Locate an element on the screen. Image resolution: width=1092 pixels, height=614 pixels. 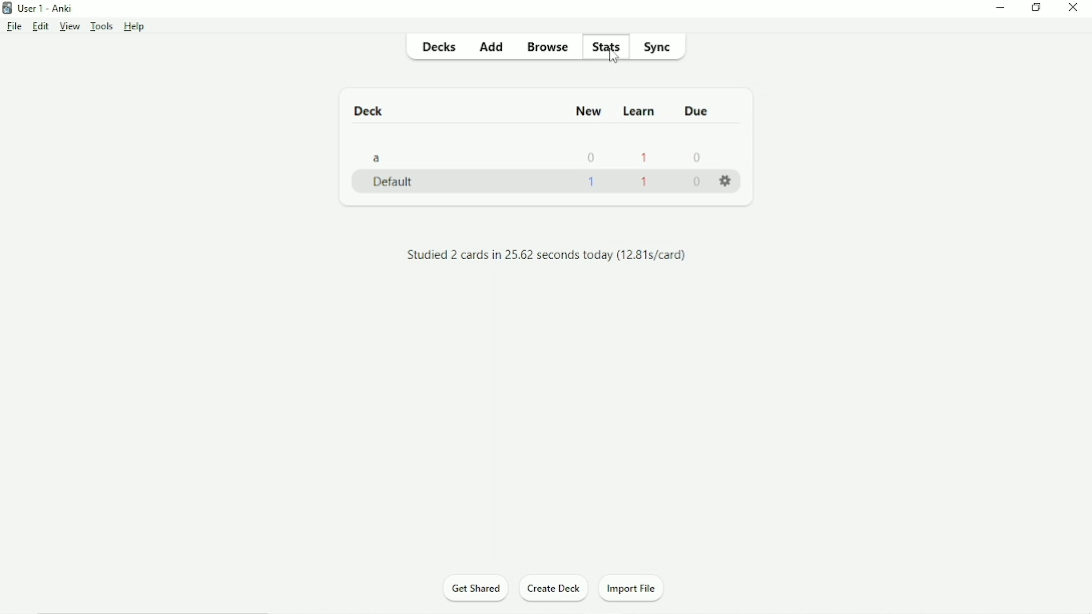
1 is located at coordinates (643, 156).